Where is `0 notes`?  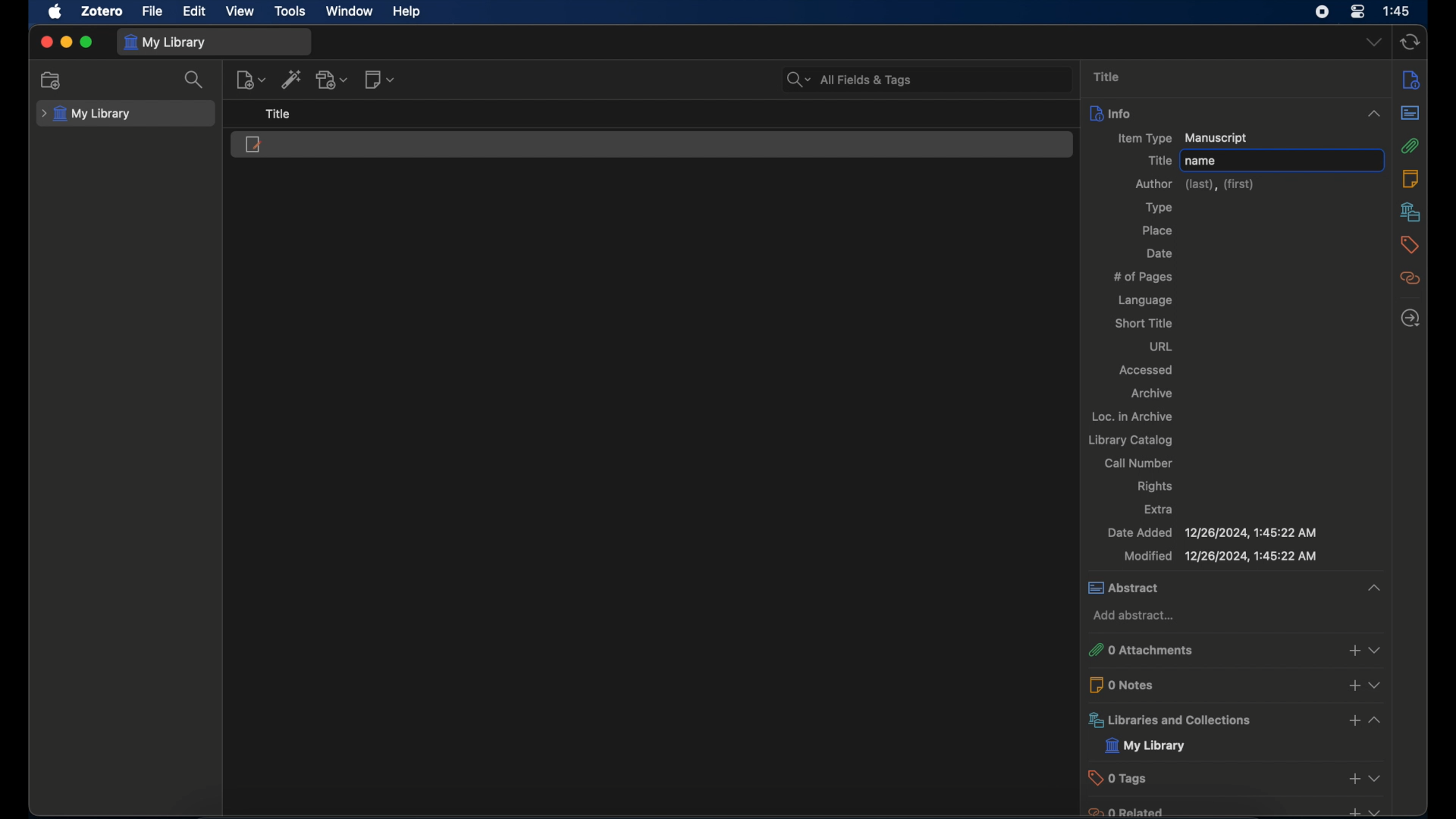
0 notes is located at coordinates (1237, 683).